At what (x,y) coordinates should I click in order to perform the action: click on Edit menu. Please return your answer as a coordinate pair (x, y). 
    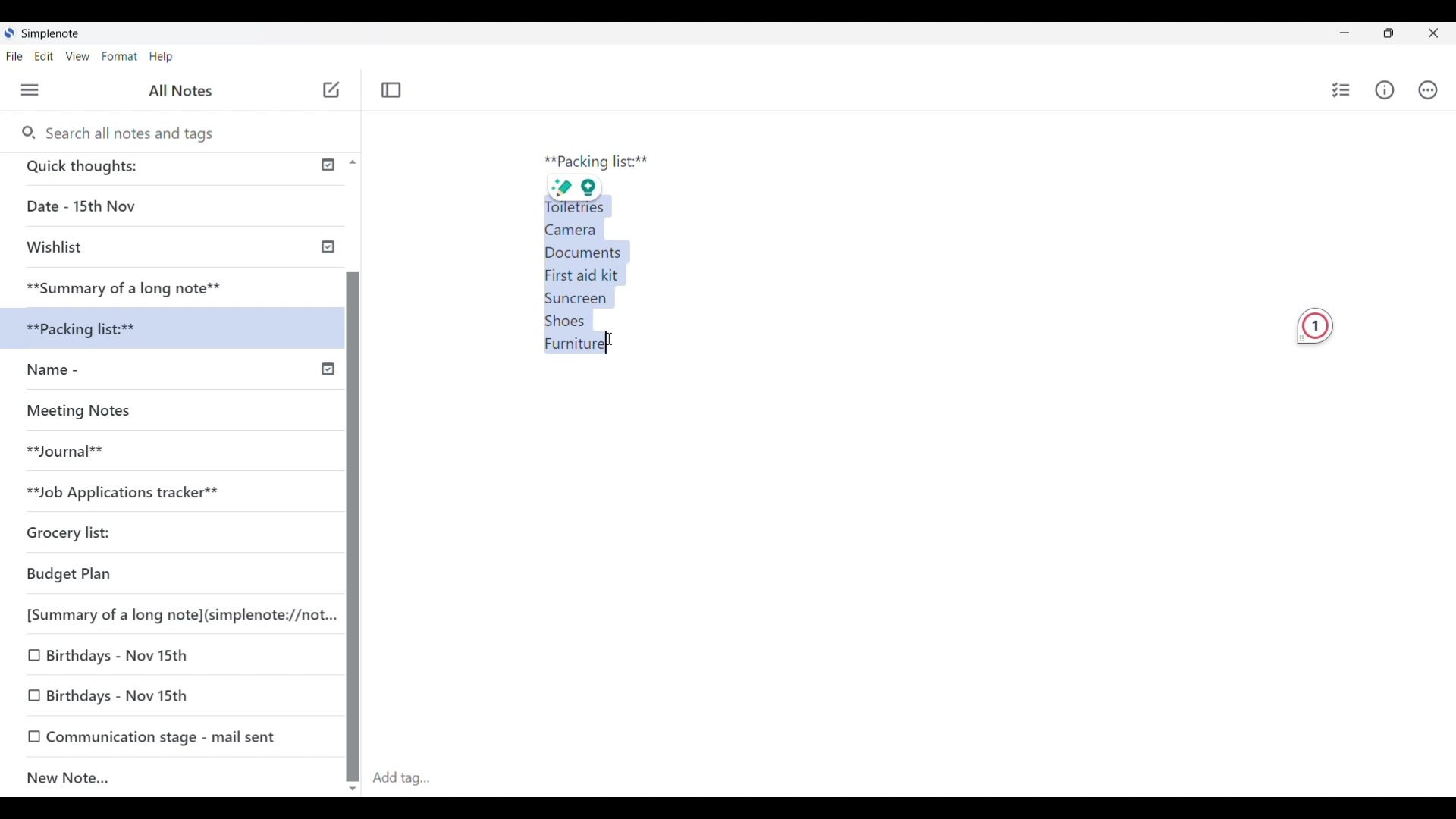
    Looking at the image, I should click on (45, 56).